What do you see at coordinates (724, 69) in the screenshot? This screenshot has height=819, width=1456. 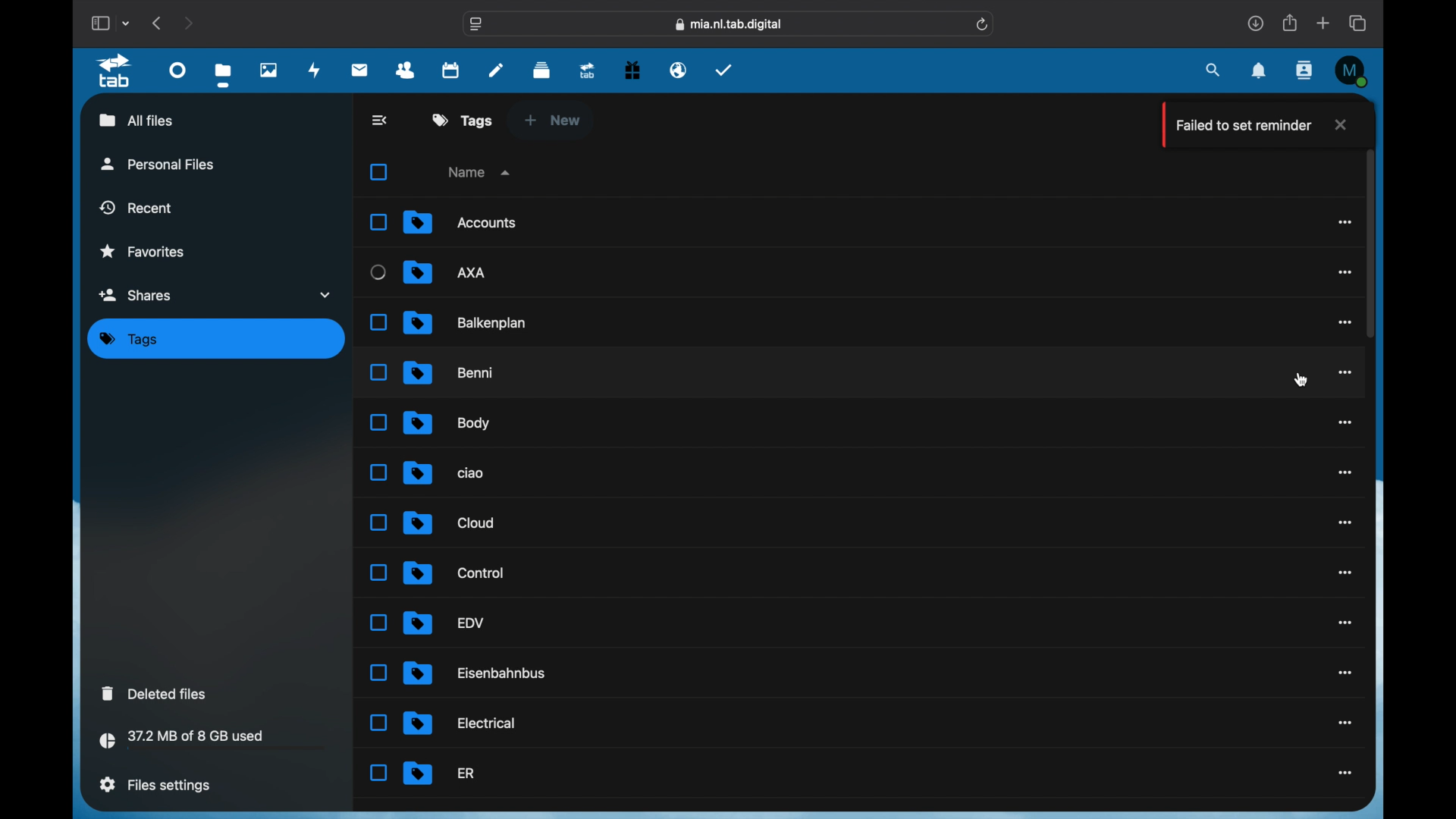 I see `tasks` at bounding box center [724, 69].